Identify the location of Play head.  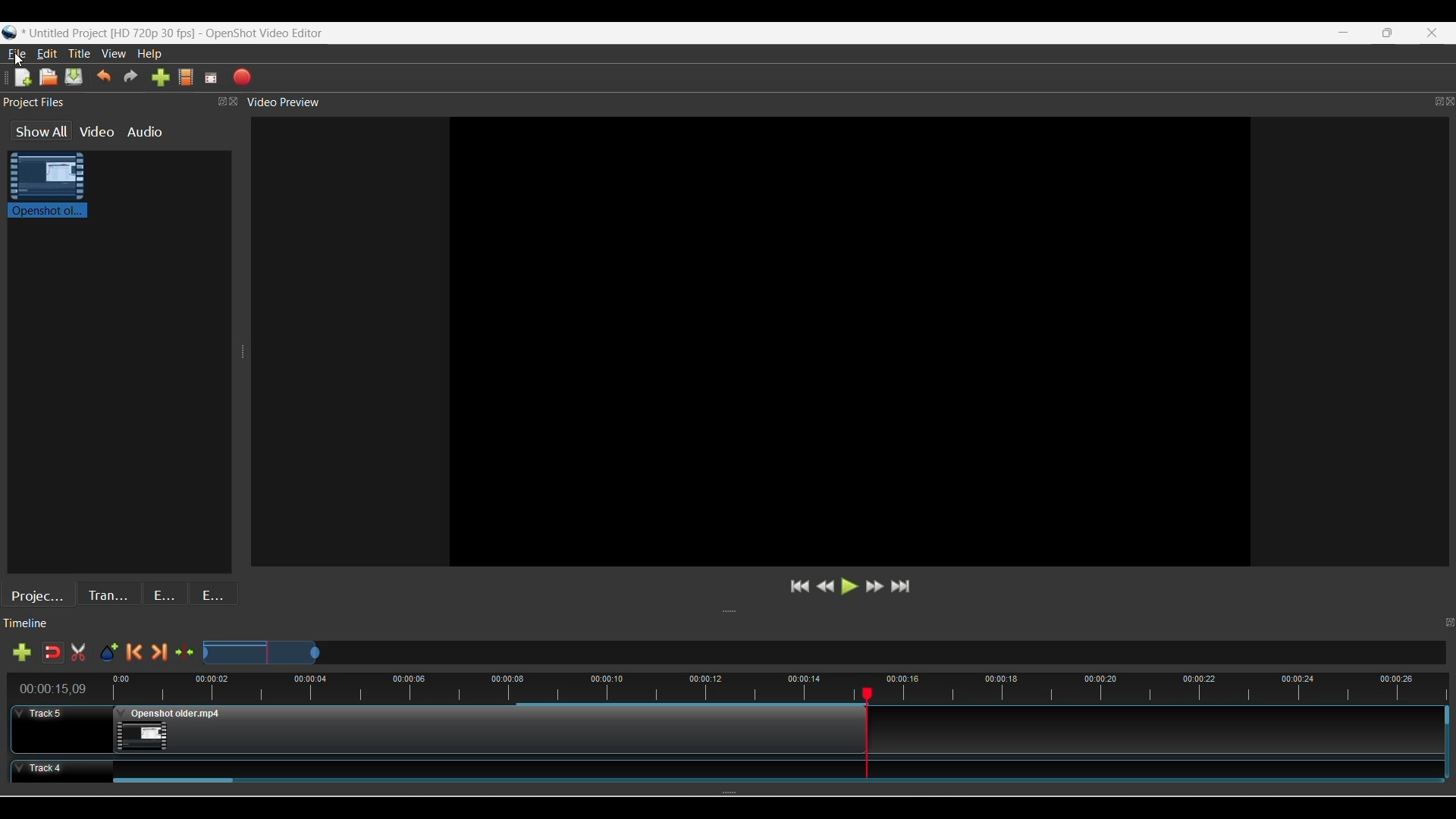
(868, 693).